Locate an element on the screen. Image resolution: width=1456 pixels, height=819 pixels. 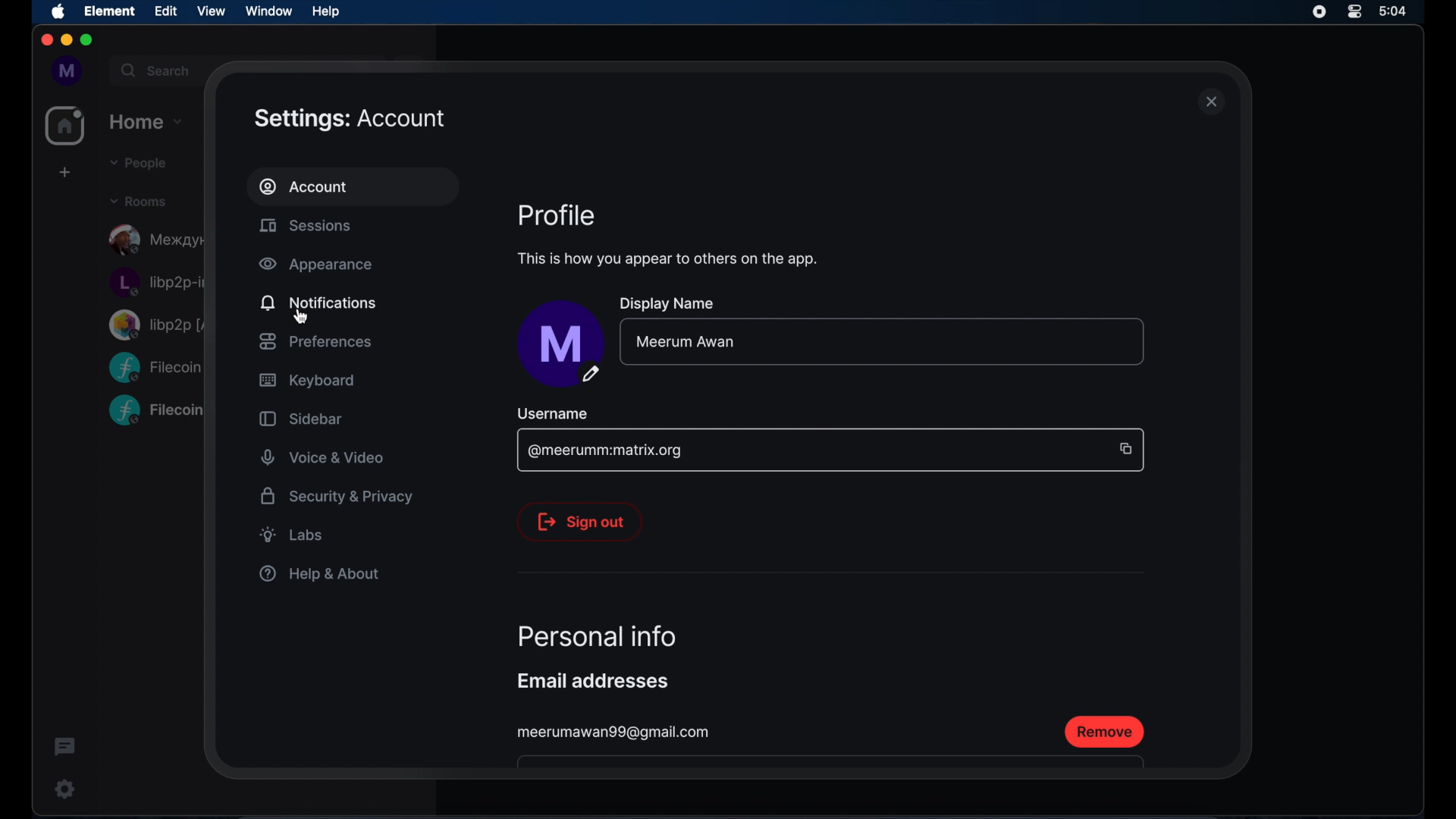
labs is located at coordinates (292, 535).